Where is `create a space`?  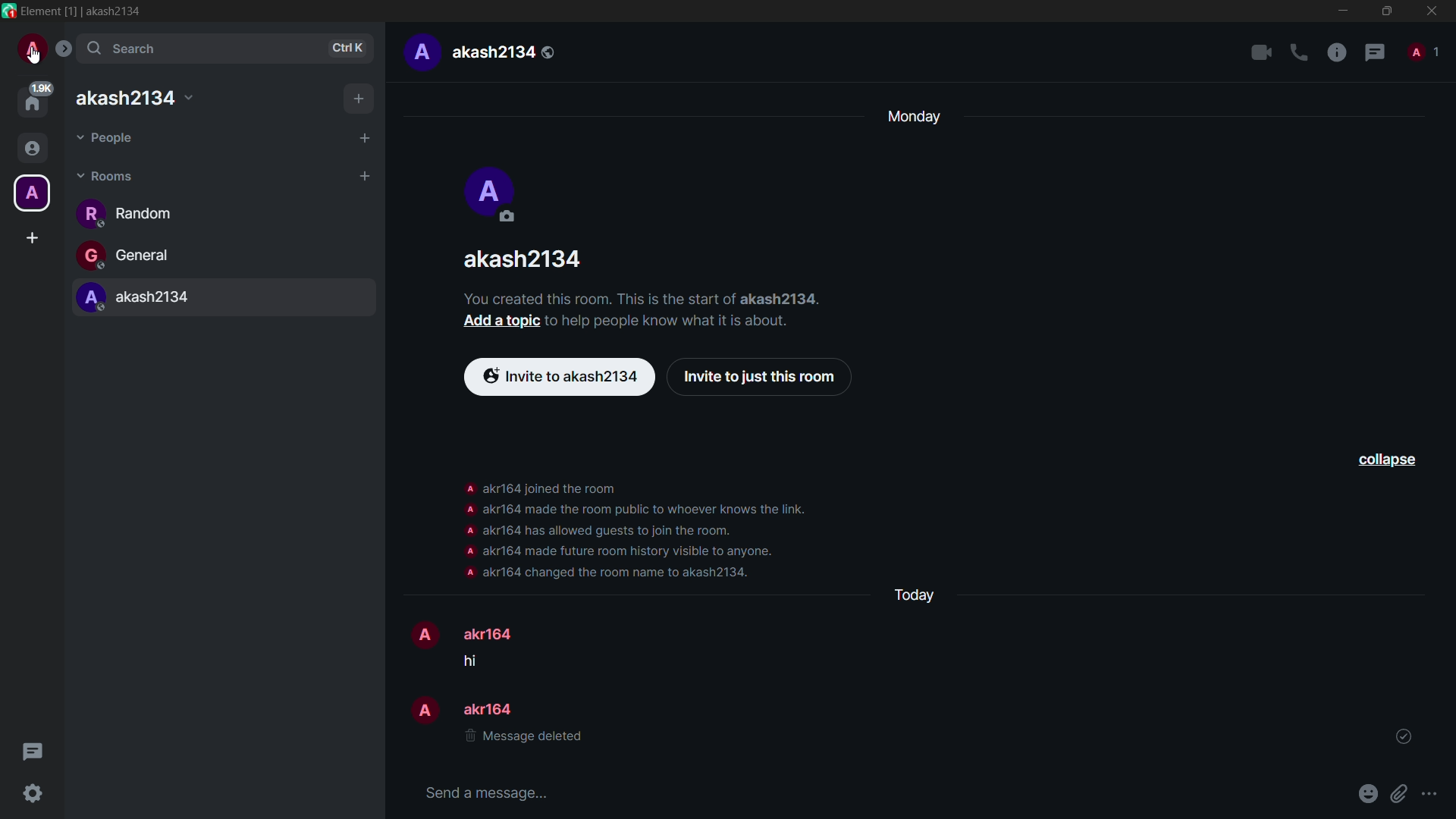
create a space is located at coordinates (33, 238).